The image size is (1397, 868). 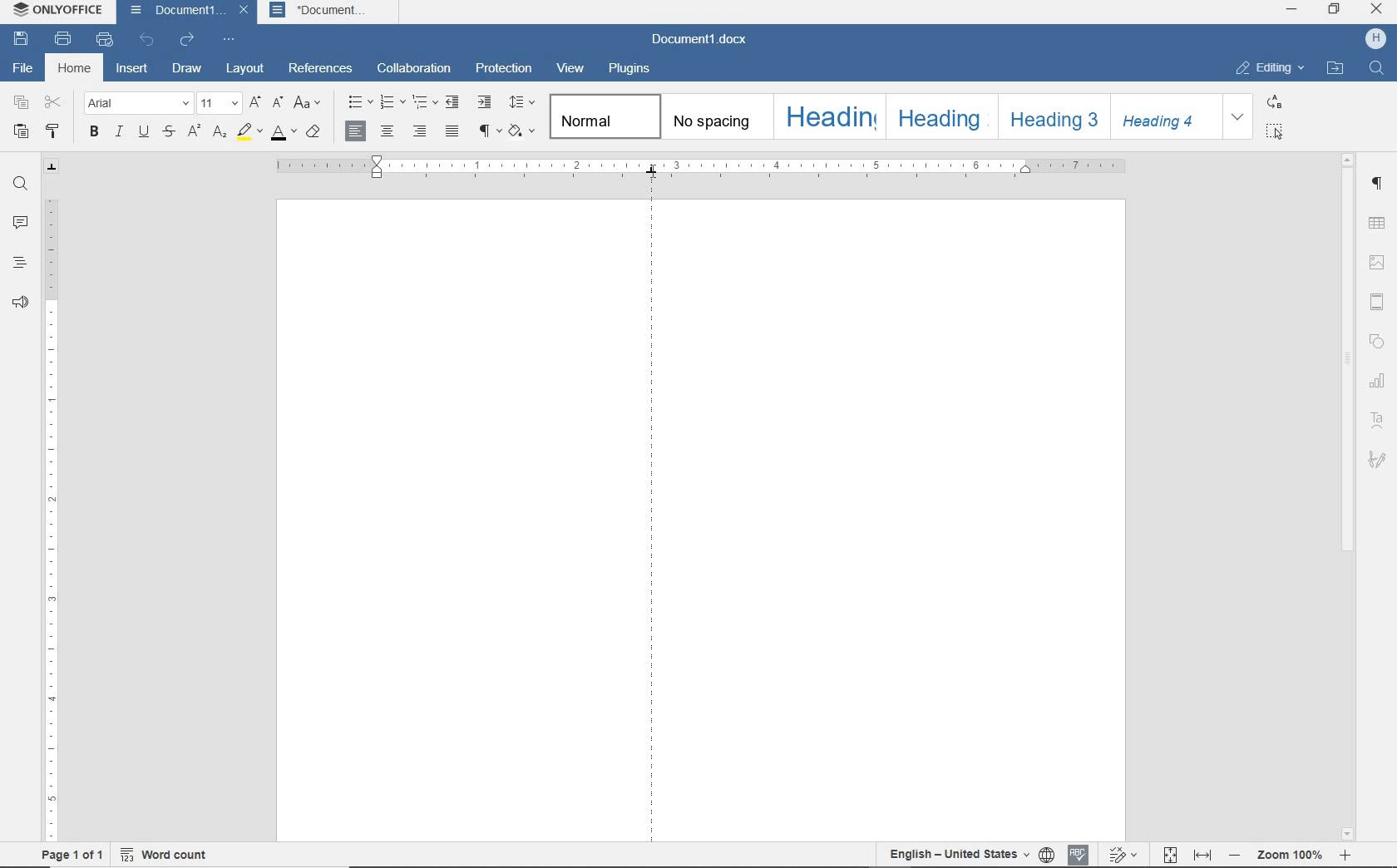 I want to click on DECREASE INDENT, so click(x=453, y=102).